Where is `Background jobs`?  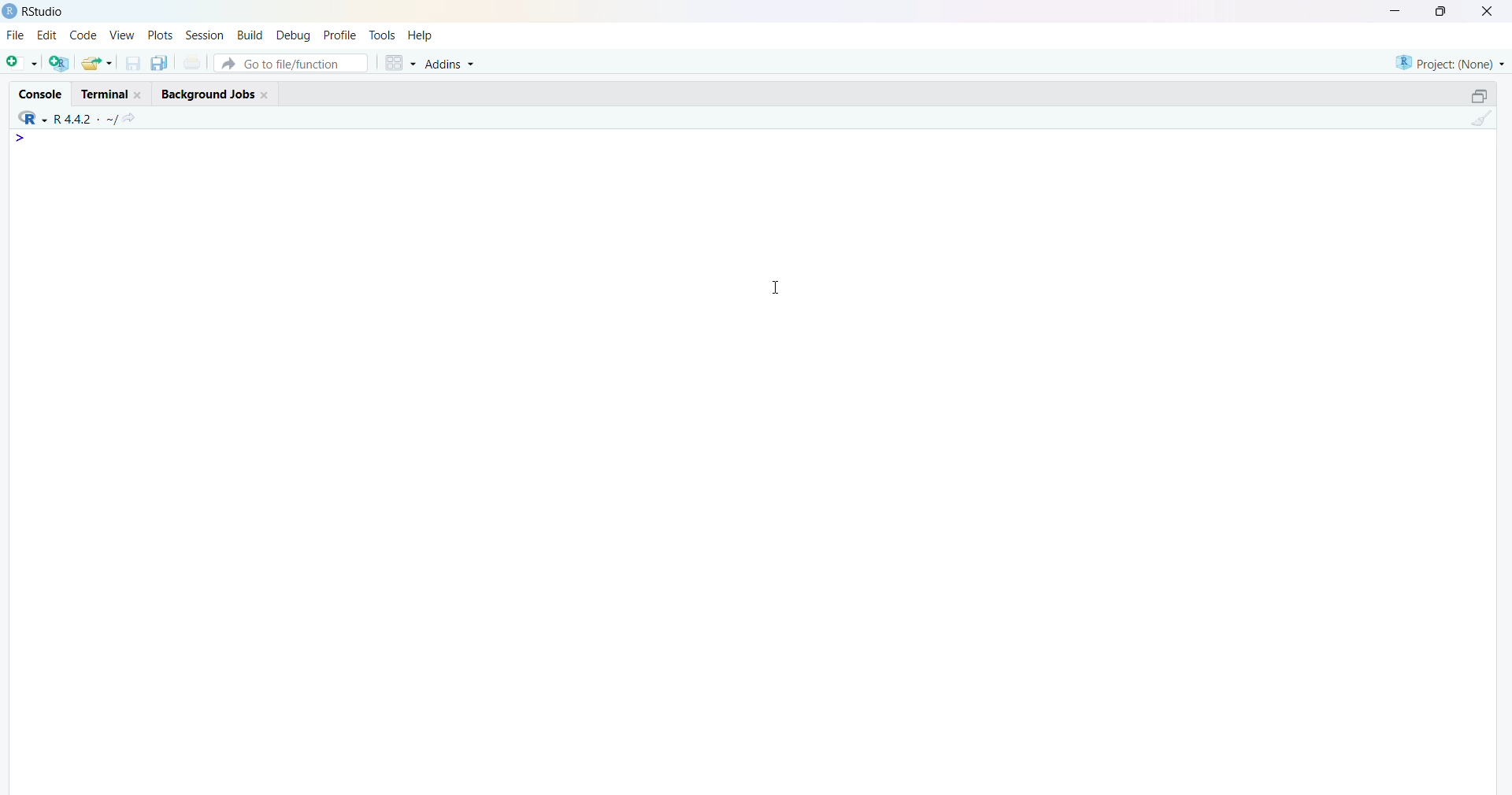 Background jobs is located at coordinates (207, 96).